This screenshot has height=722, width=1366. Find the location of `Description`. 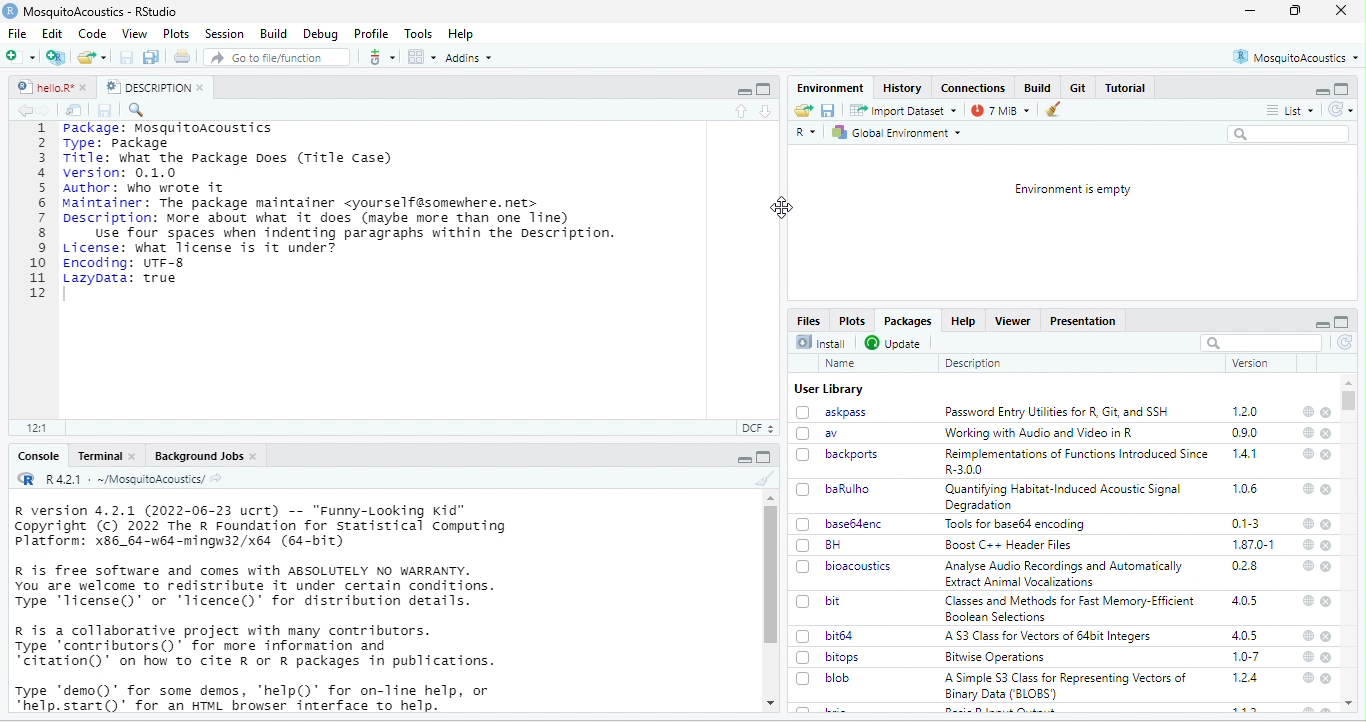

Description is located at coordinates (973, 363).